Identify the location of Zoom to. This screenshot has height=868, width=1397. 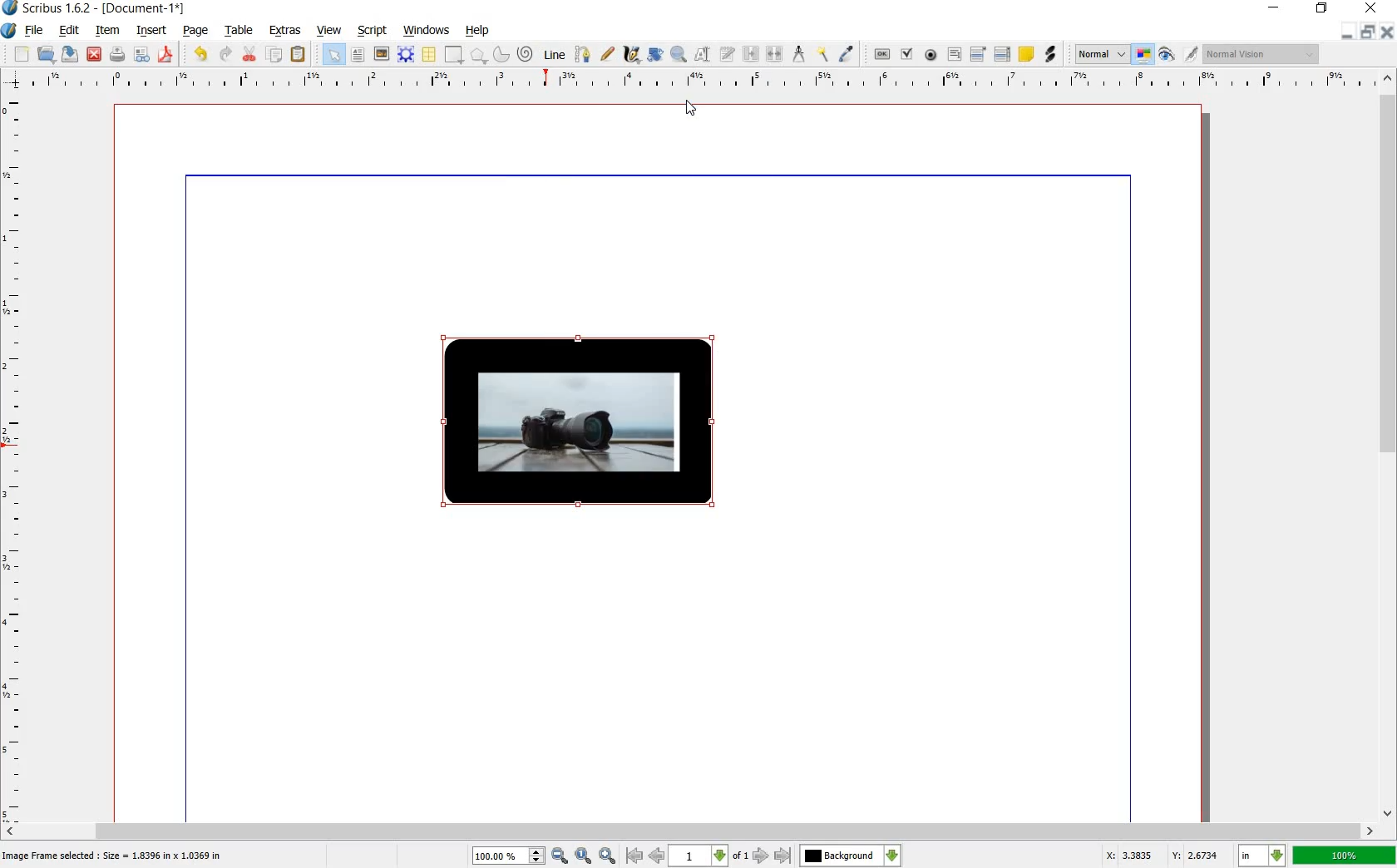
(585, 855).